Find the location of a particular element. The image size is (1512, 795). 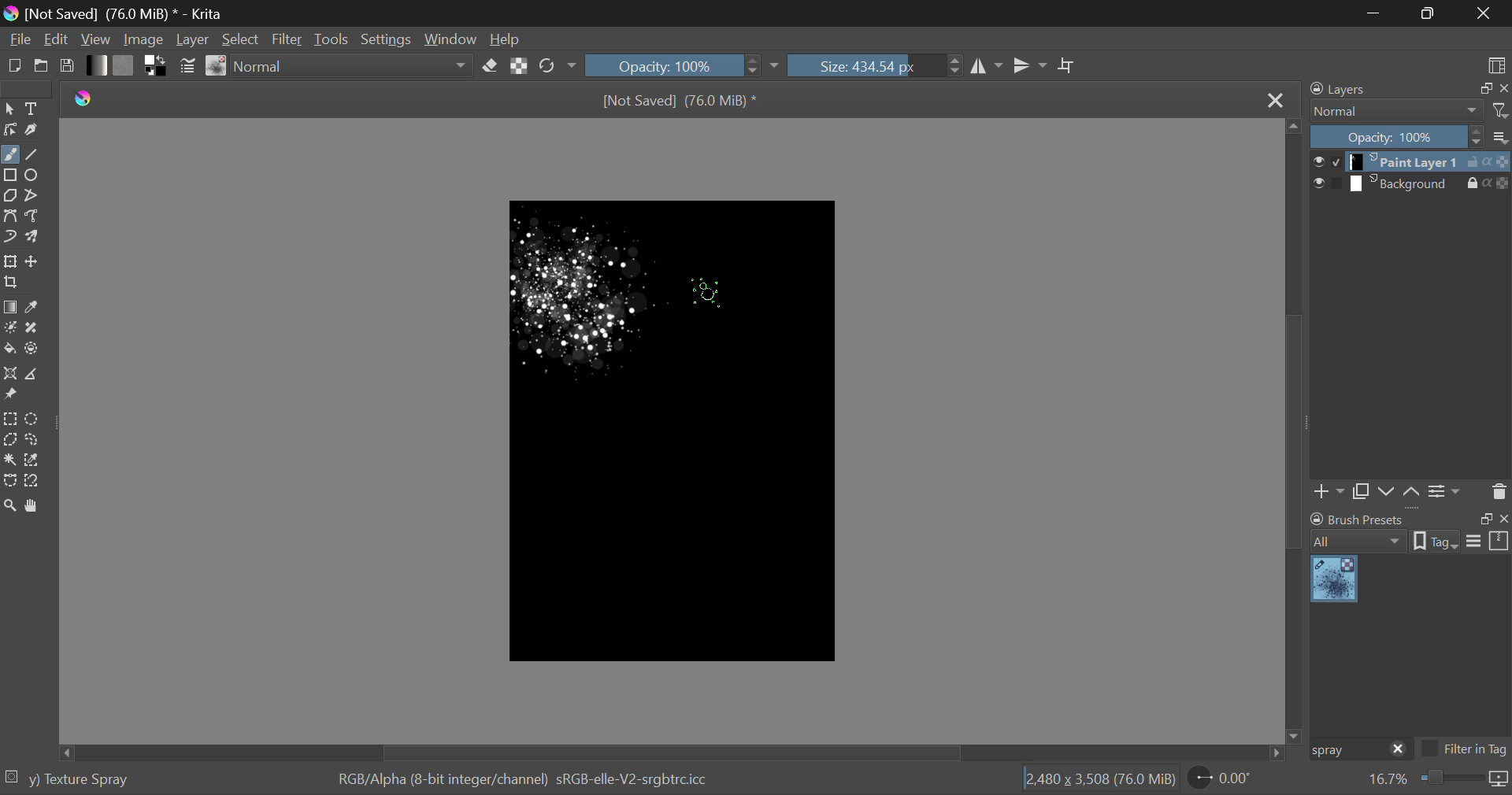

Freehand Path Tool is located at coordinates (33, 216).